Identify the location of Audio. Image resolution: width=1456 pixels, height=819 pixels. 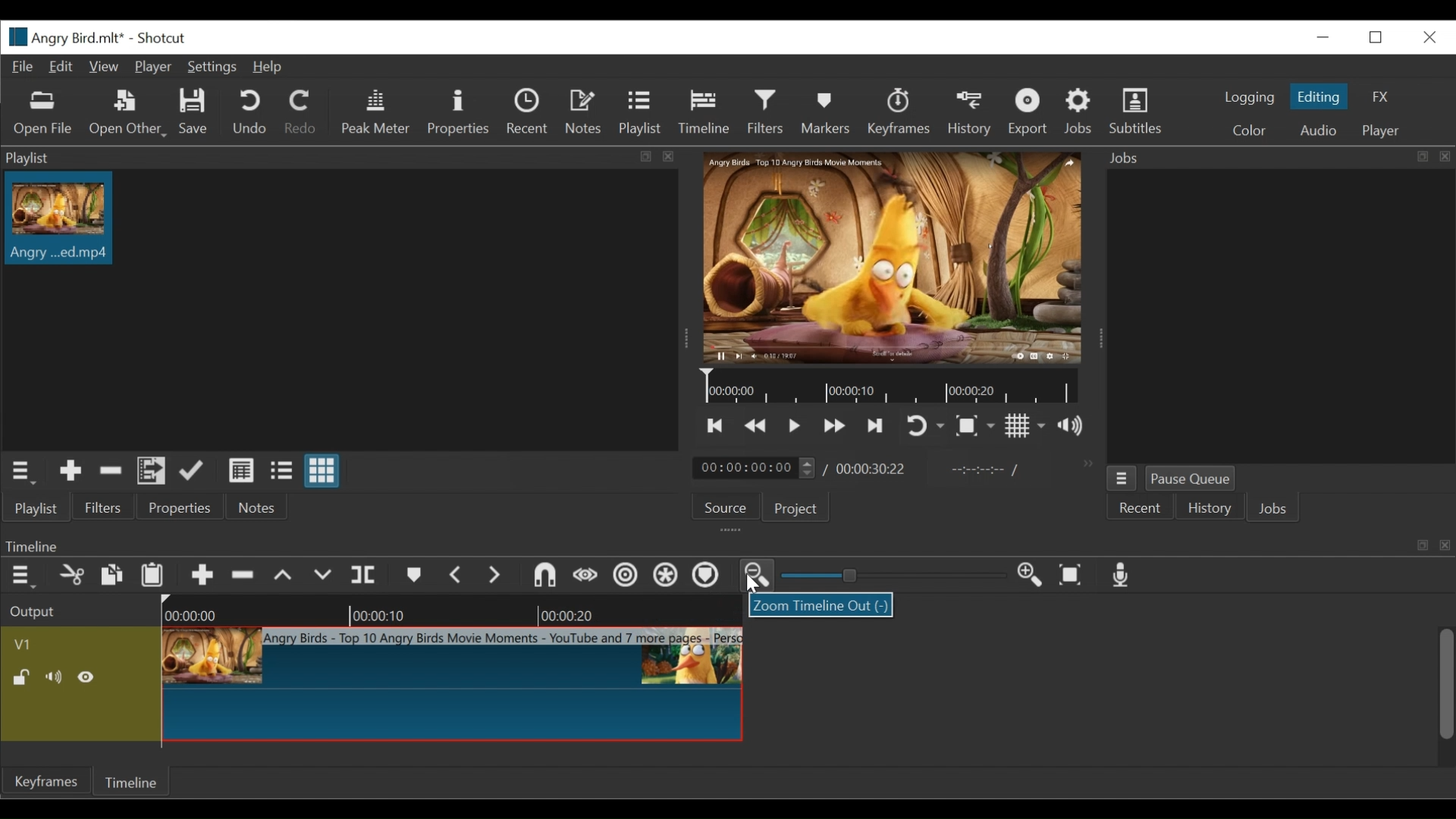
(1323, 130).